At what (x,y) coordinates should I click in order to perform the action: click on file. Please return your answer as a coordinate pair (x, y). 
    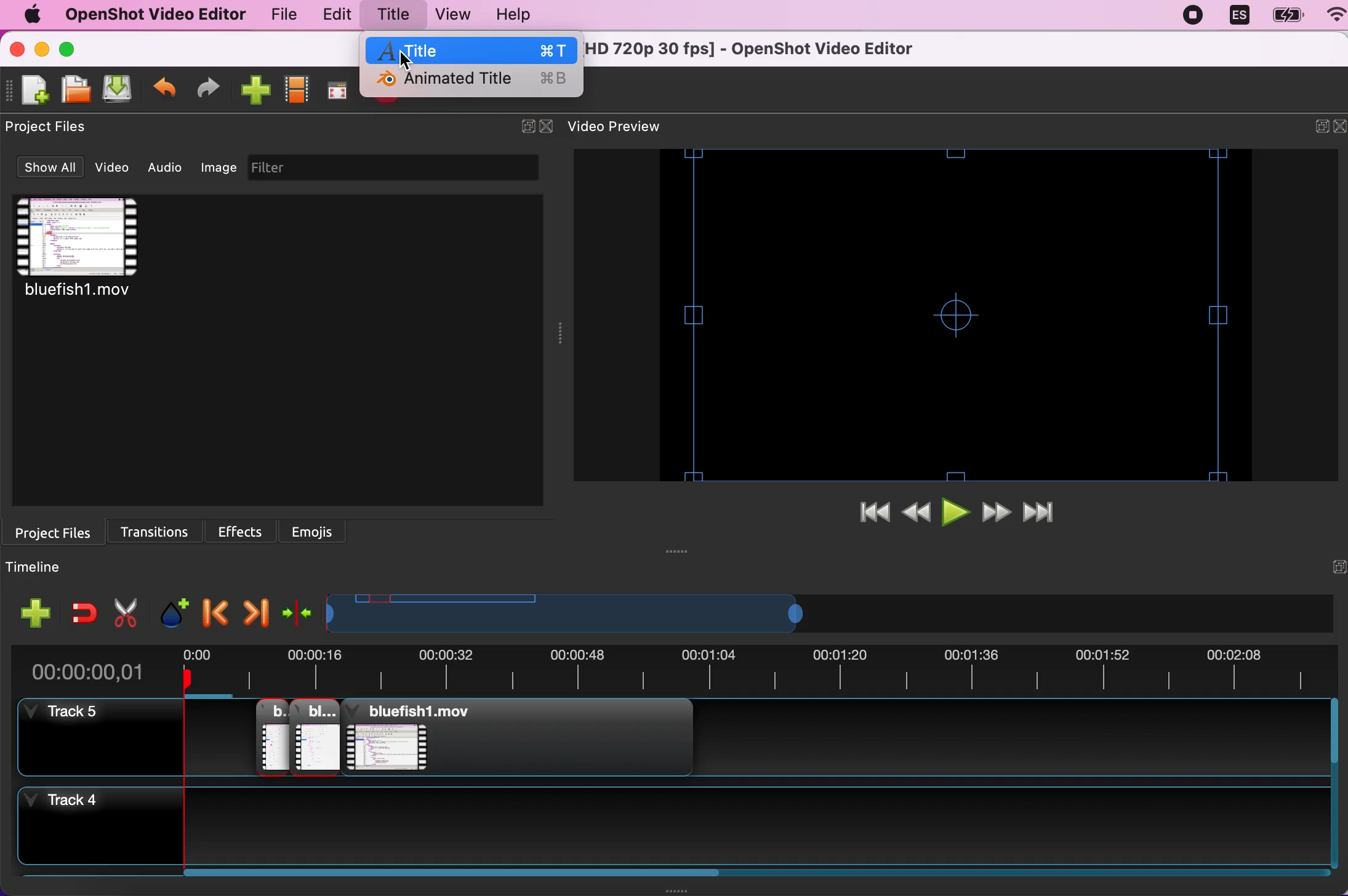
    Looking at the image, I should click on (279, 17).